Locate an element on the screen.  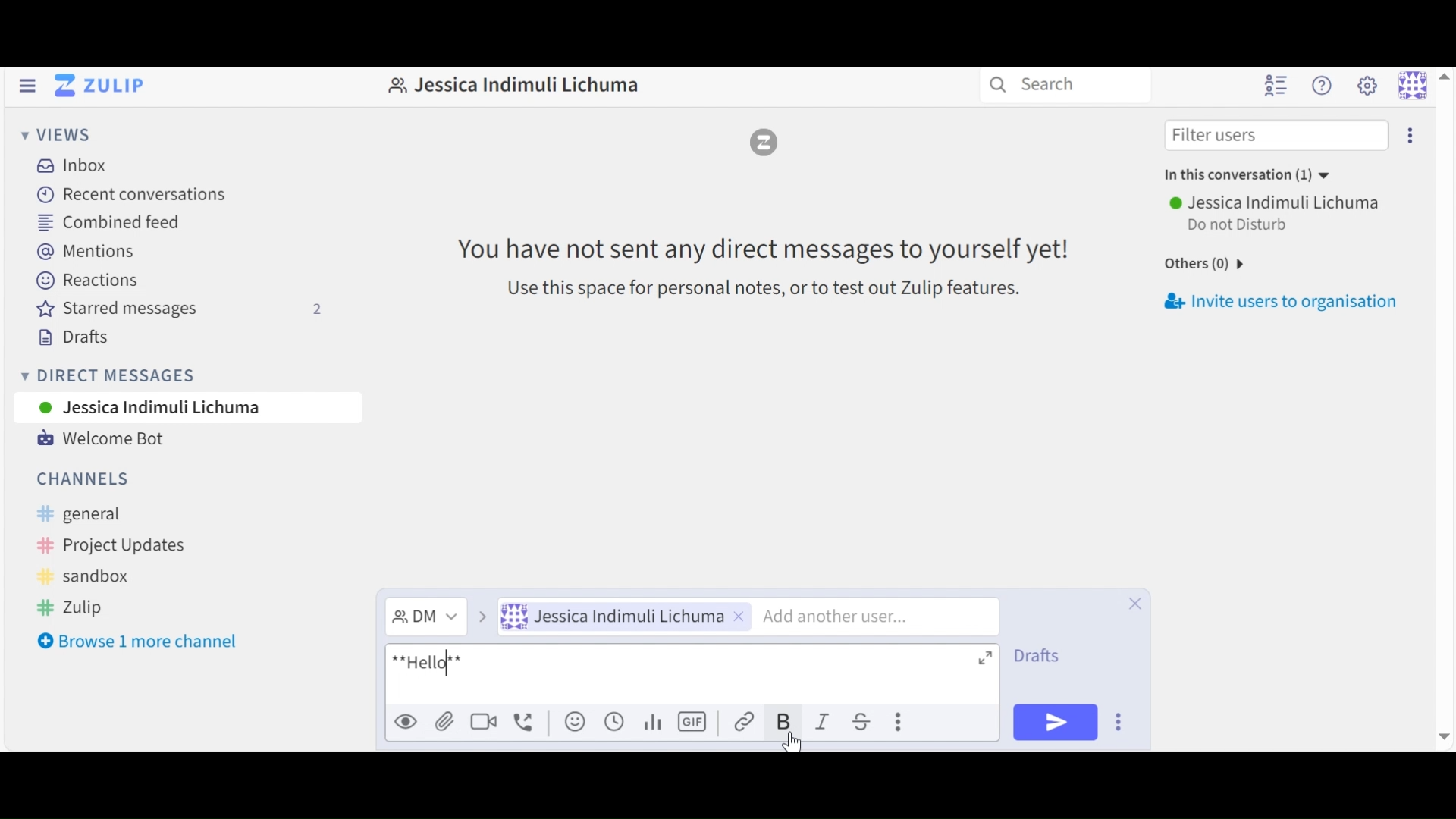
Message is located at coordinates (694, 673).